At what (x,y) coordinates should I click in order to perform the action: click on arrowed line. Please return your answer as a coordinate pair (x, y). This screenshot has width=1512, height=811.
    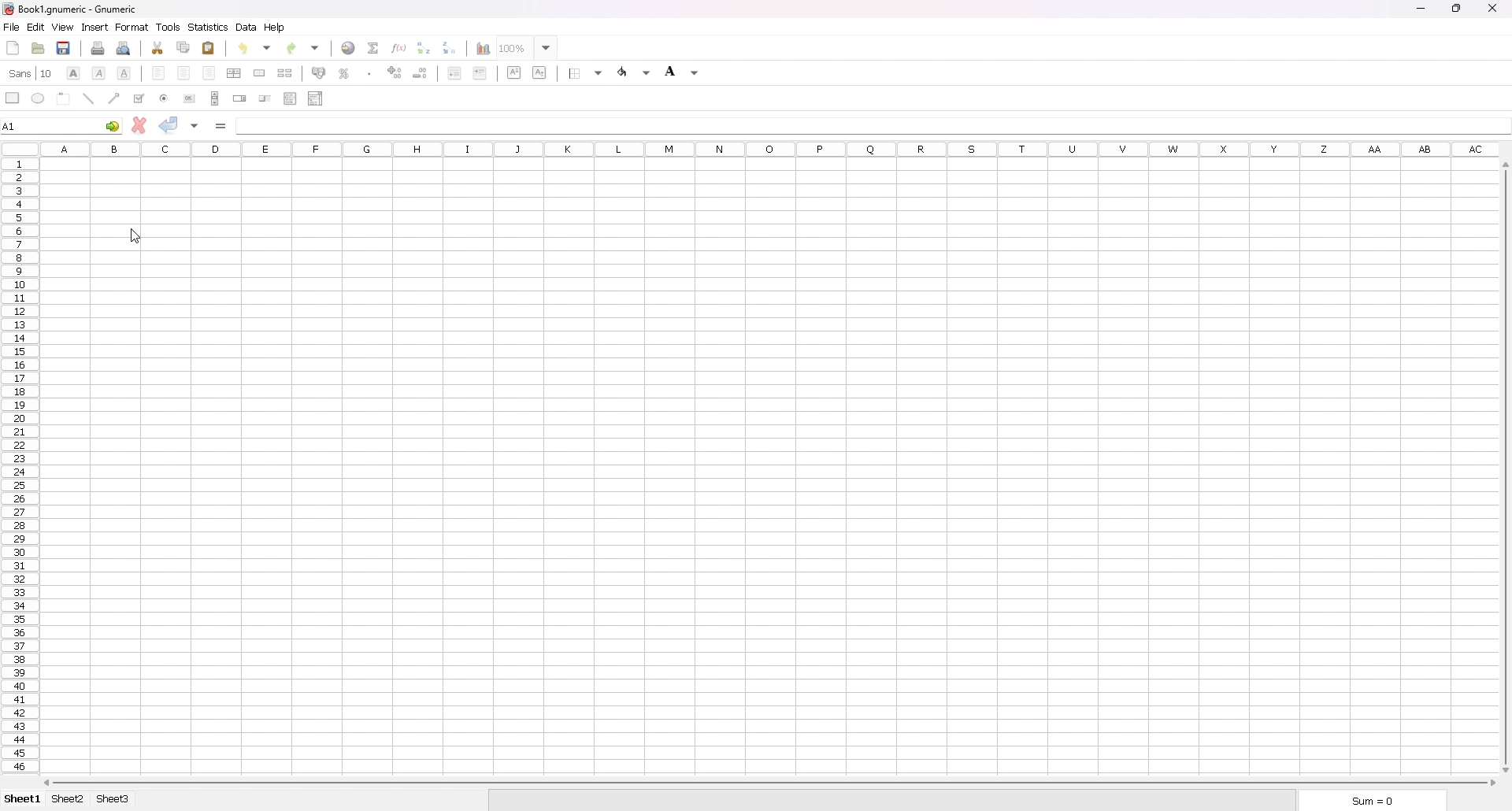
    Looking at the image, I should click on (113, 98).